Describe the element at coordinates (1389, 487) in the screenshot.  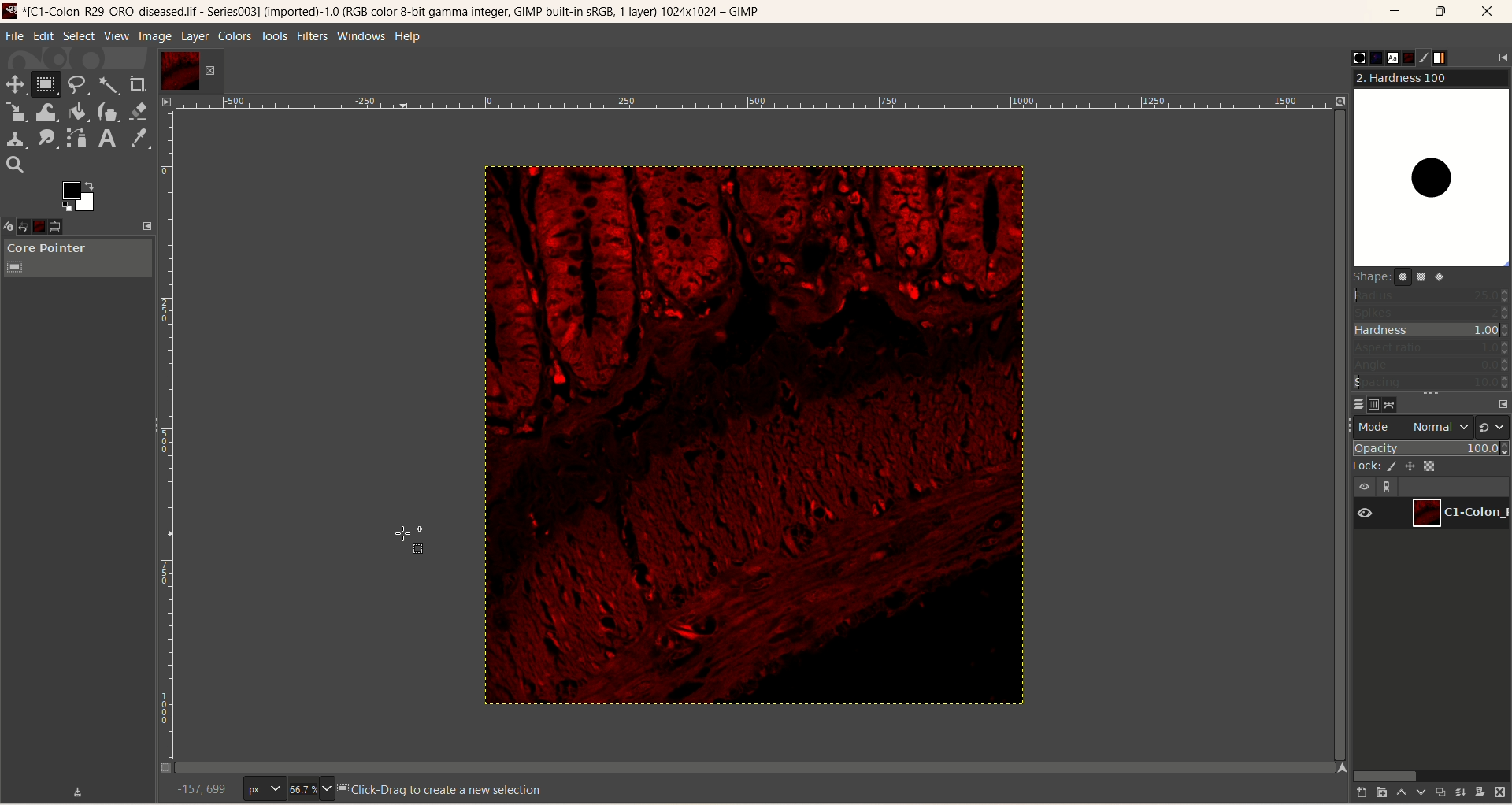
I see `link layer` at that location.